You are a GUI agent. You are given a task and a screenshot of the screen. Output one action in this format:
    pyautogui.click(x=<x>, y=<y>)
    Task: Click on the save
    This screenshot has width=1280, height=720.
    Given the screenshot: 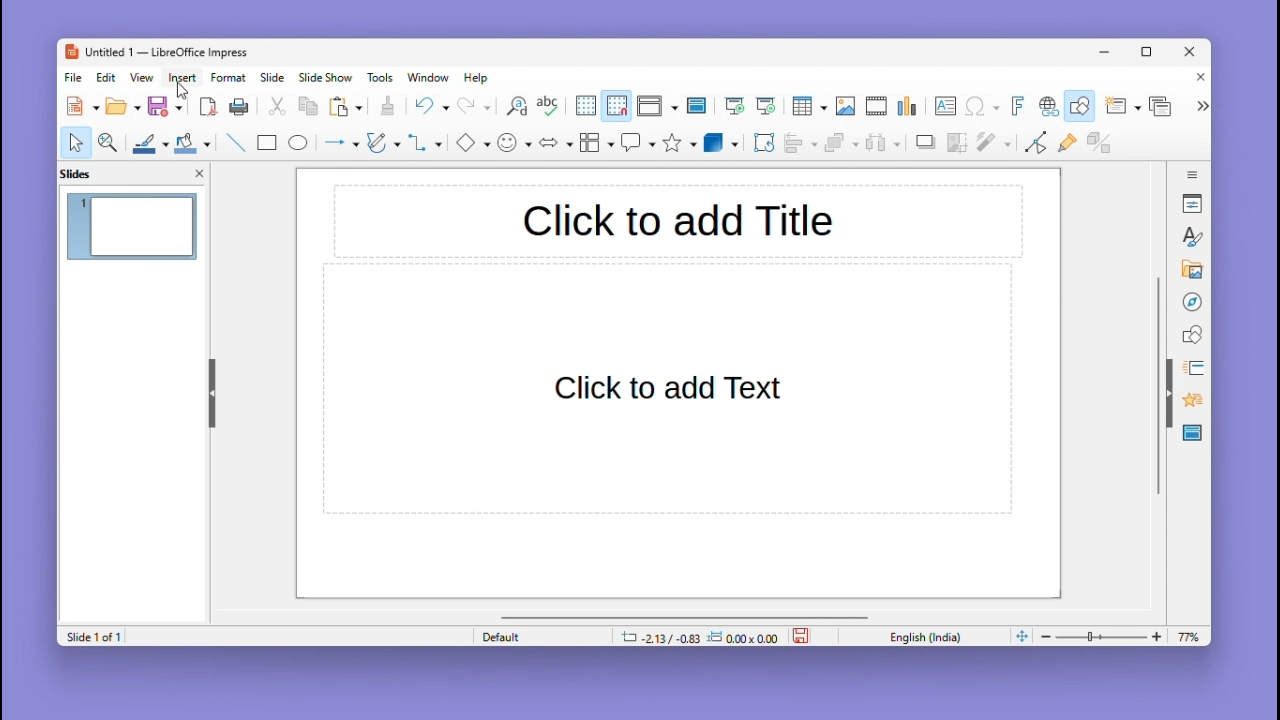 What is the action you would take?
    pyautogui.click(x=803, y=634)
    